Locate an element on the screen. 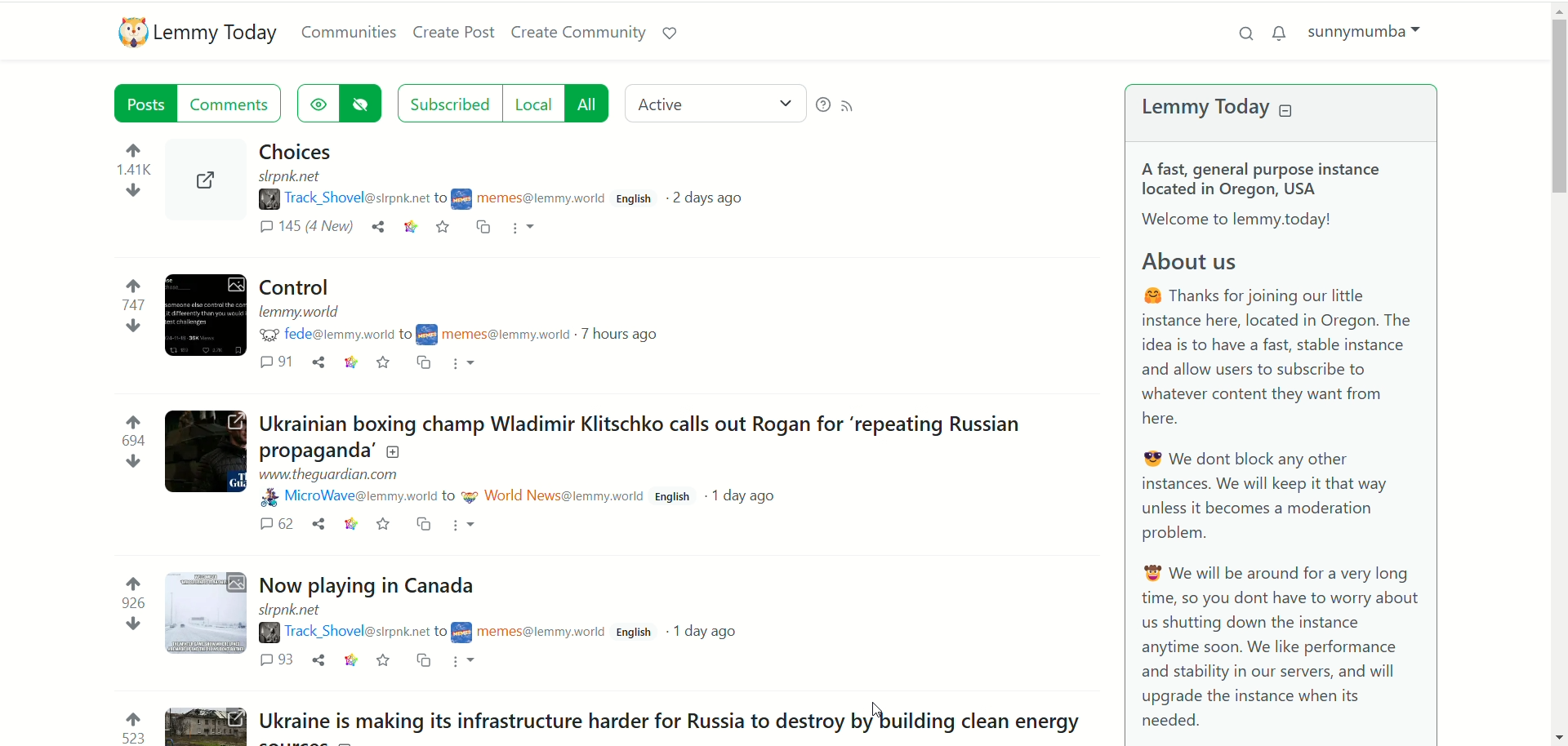  more is located at coordinates (469, 363).